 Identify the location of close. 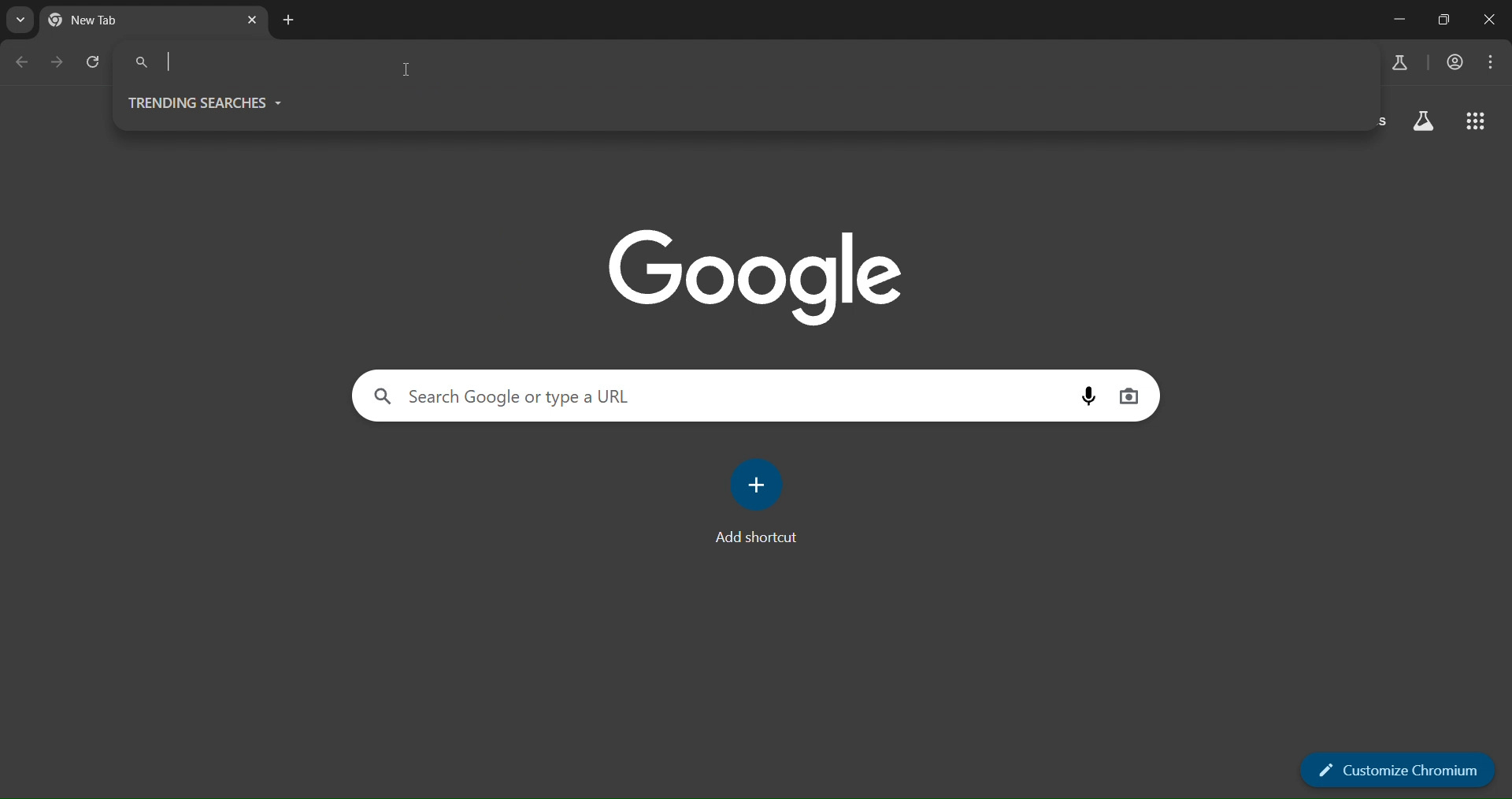
(1486, 20).